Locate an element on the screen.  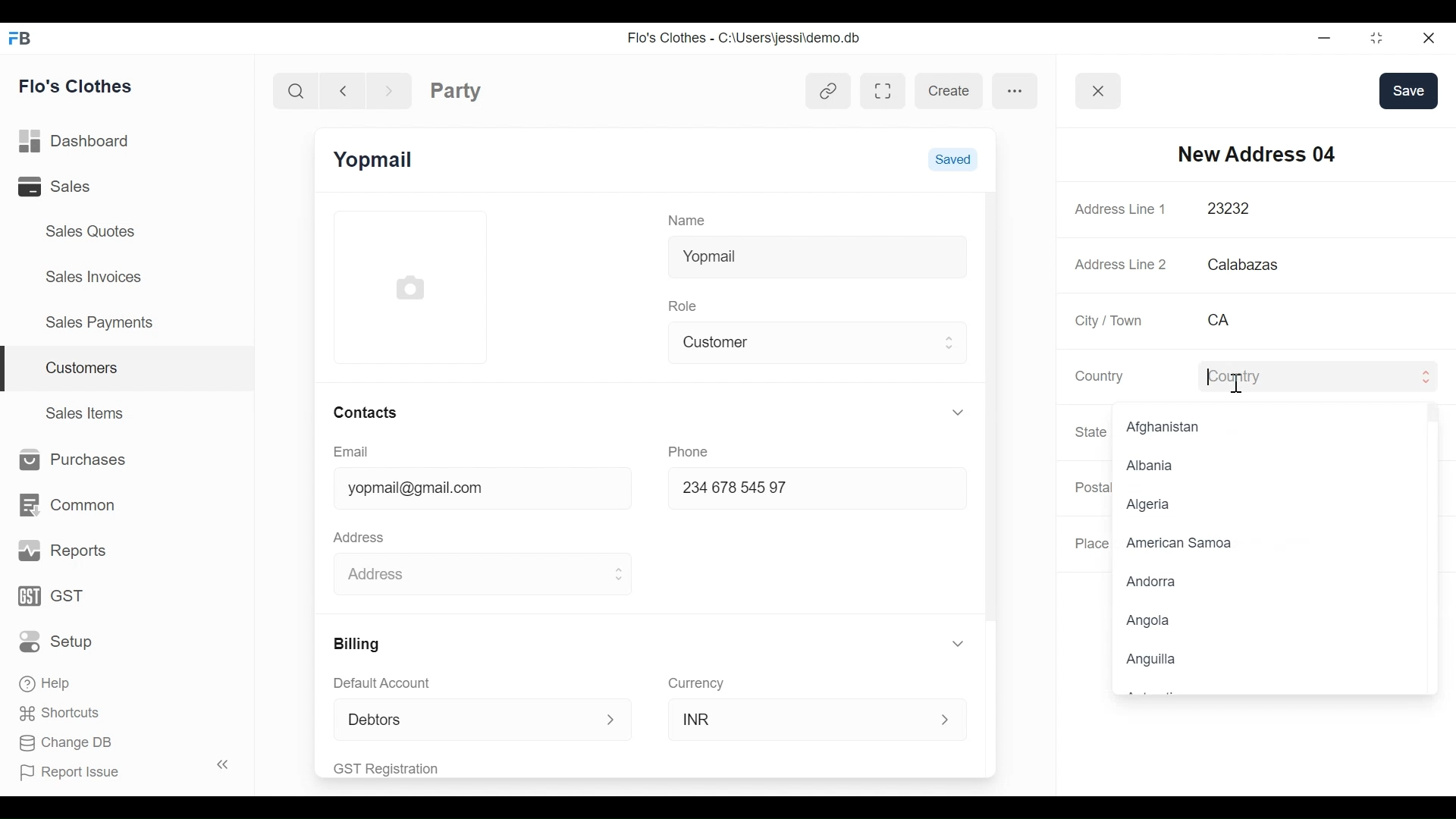
Flo's Clothes is located at coordinates (78, 86).